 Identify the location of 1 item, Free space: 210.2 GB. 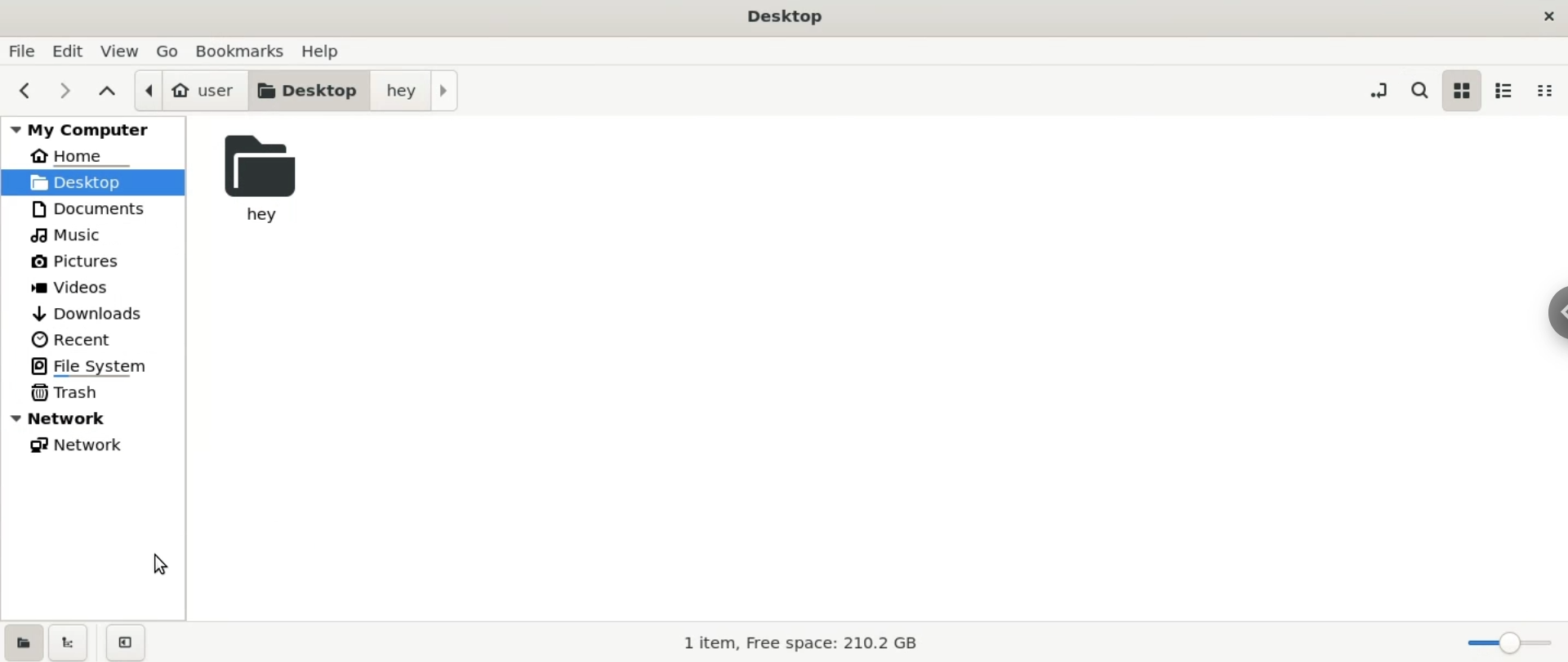
(802, 642).